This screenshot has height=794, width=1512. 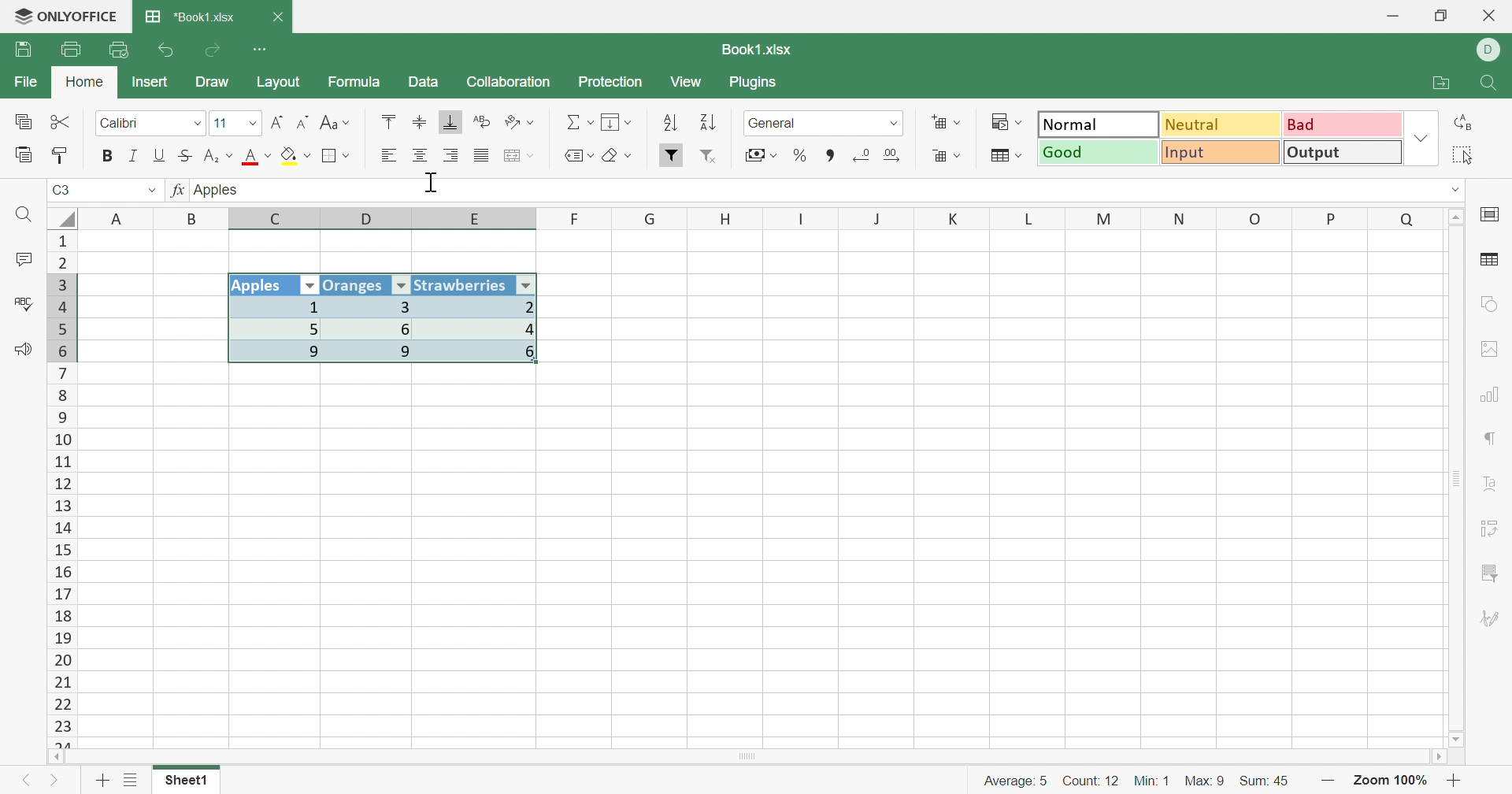 I want to click on Delete cells, so click(x=944, y=158).